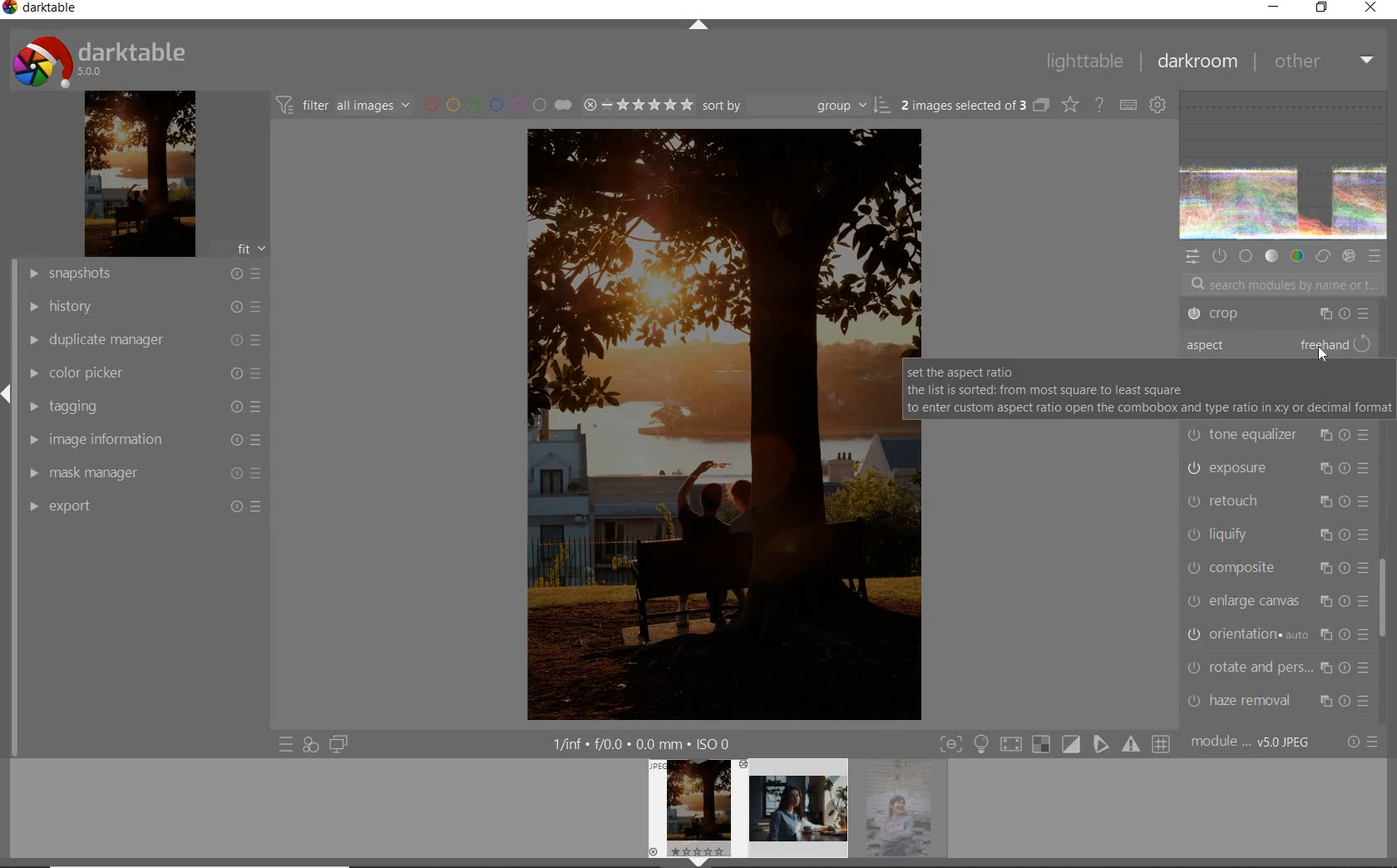  I want to click on enable for online help, so click(1098, 104).